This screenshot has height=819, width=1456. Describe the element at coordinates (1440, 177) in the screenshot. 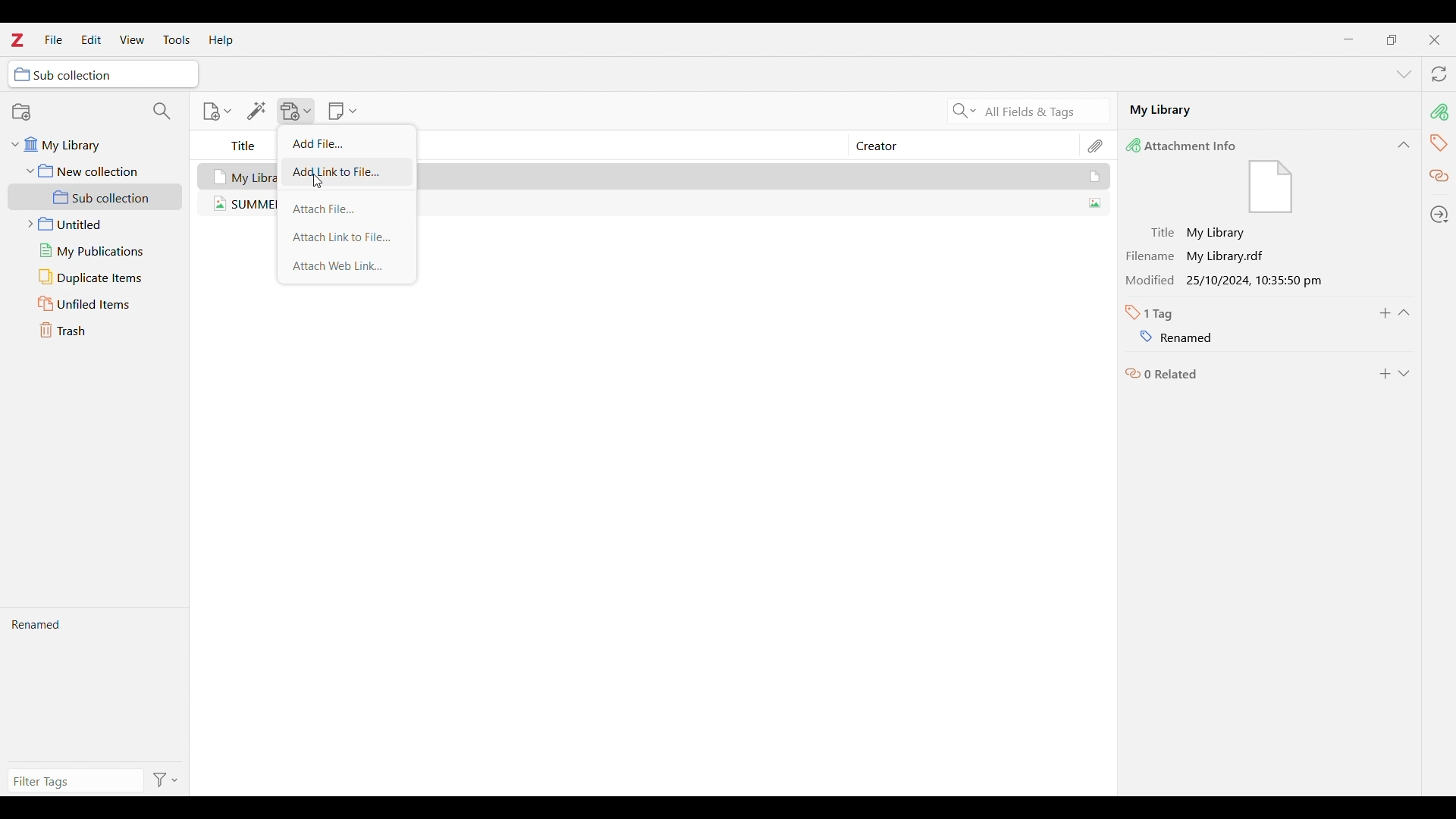

I see `Related` at that location.